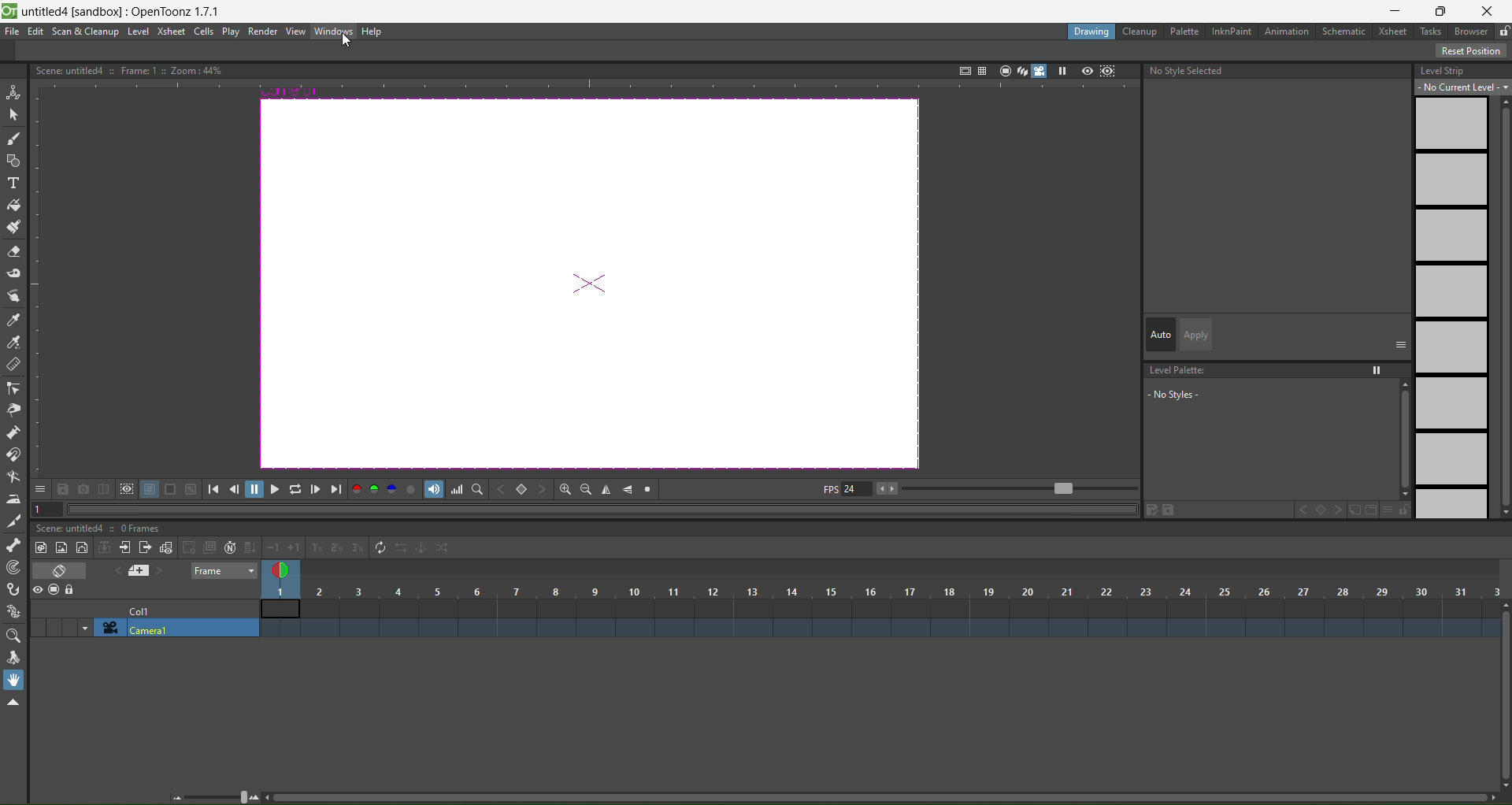 This screenshot has height=805, width=1512. What do you see at coordinates (1433, 31) in the screenshot?
I see `tasks` at bounding box center [1433, 31].